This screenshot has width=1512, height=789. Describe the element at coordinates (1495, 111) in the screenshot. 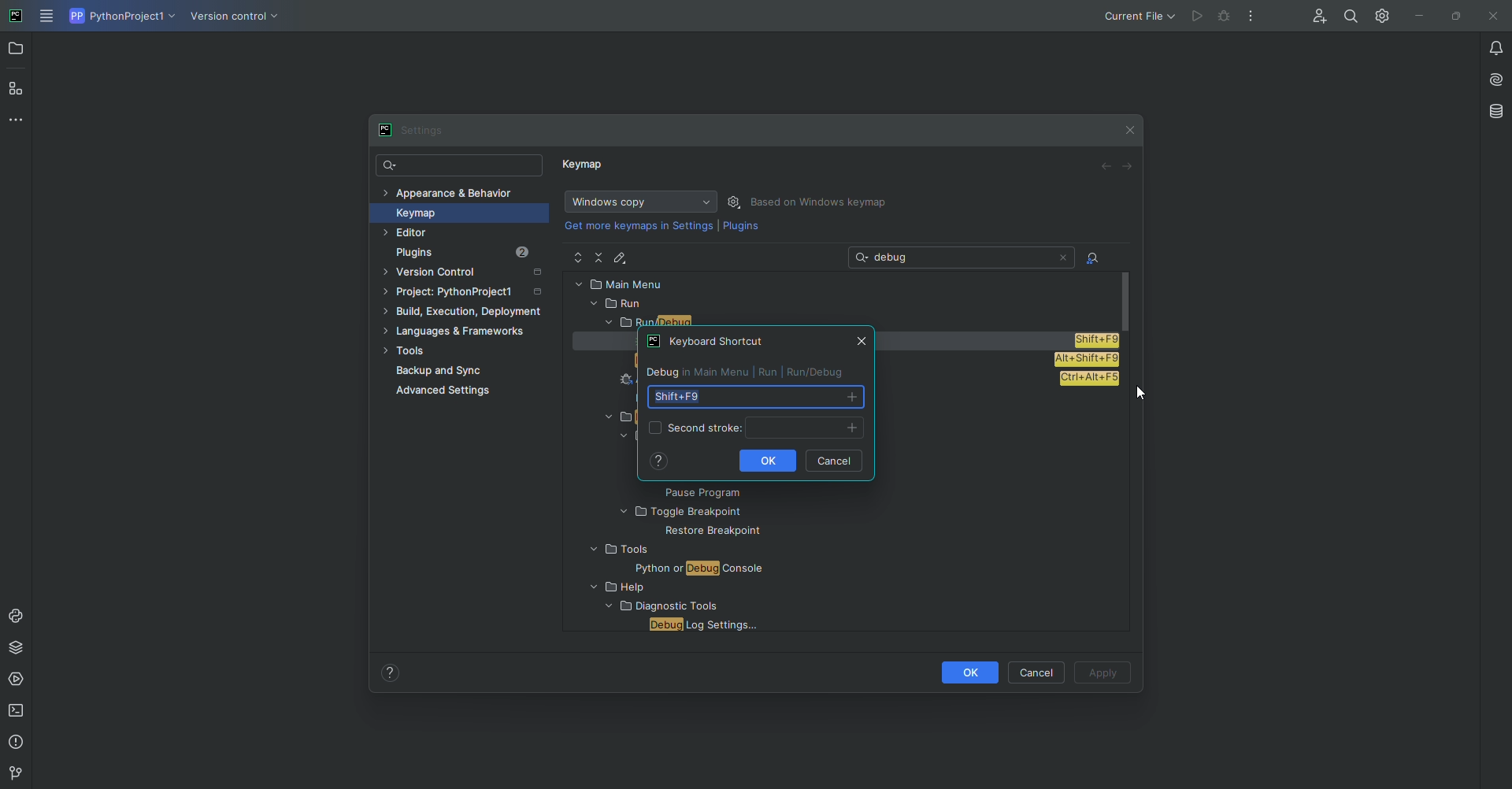

I see `Database` at that location.